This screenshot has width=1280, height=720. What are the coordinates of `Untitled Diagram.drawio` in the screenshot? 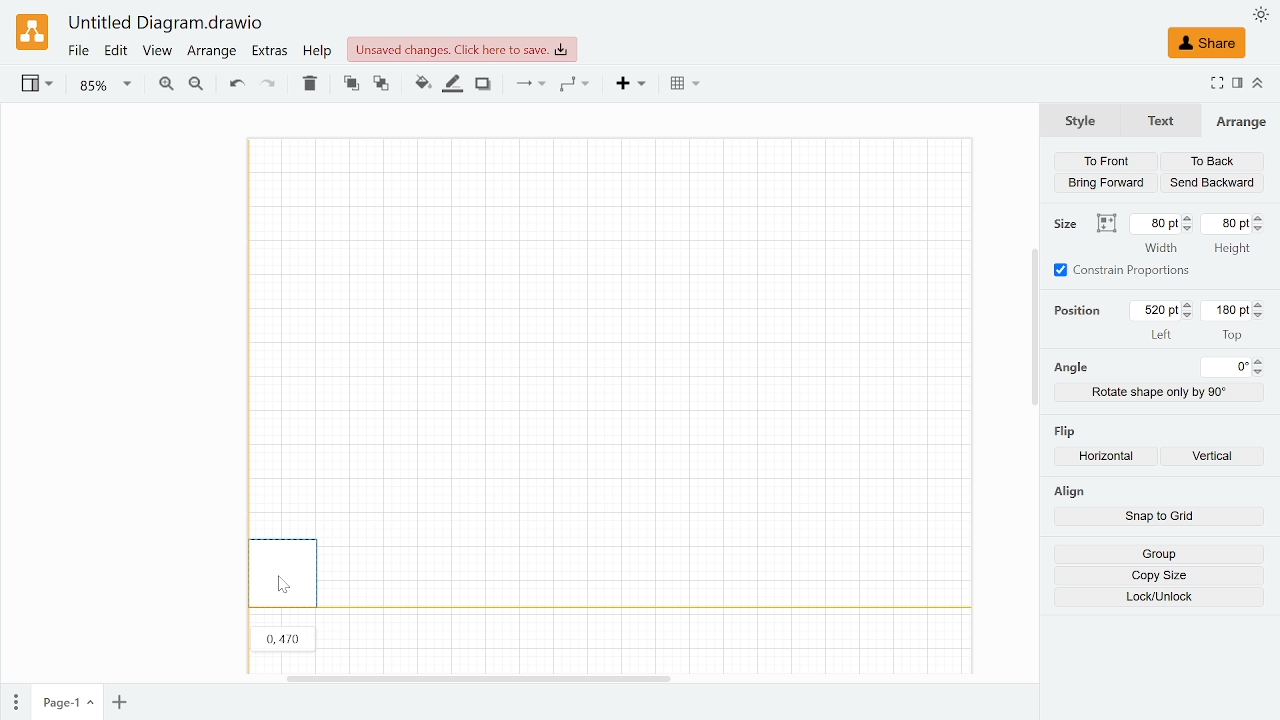 It's located at (166, 24).